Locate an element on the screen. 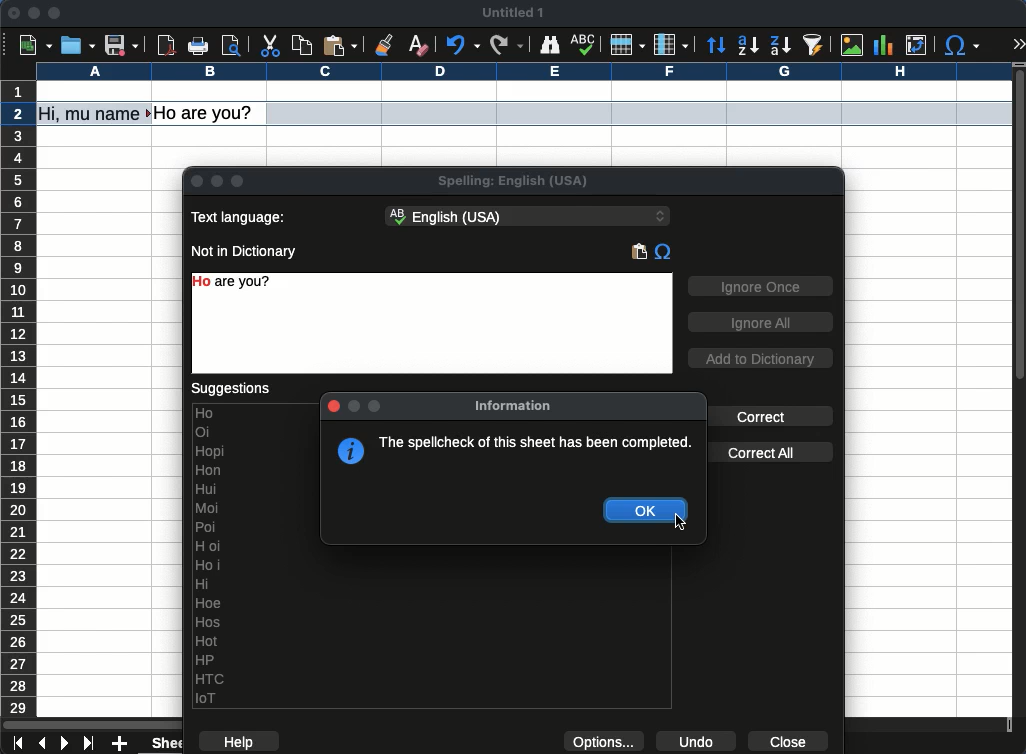 Image resolution: width=1026 pixels, height=754 pixels. add to dictionary is located at coordinates (760, 358).